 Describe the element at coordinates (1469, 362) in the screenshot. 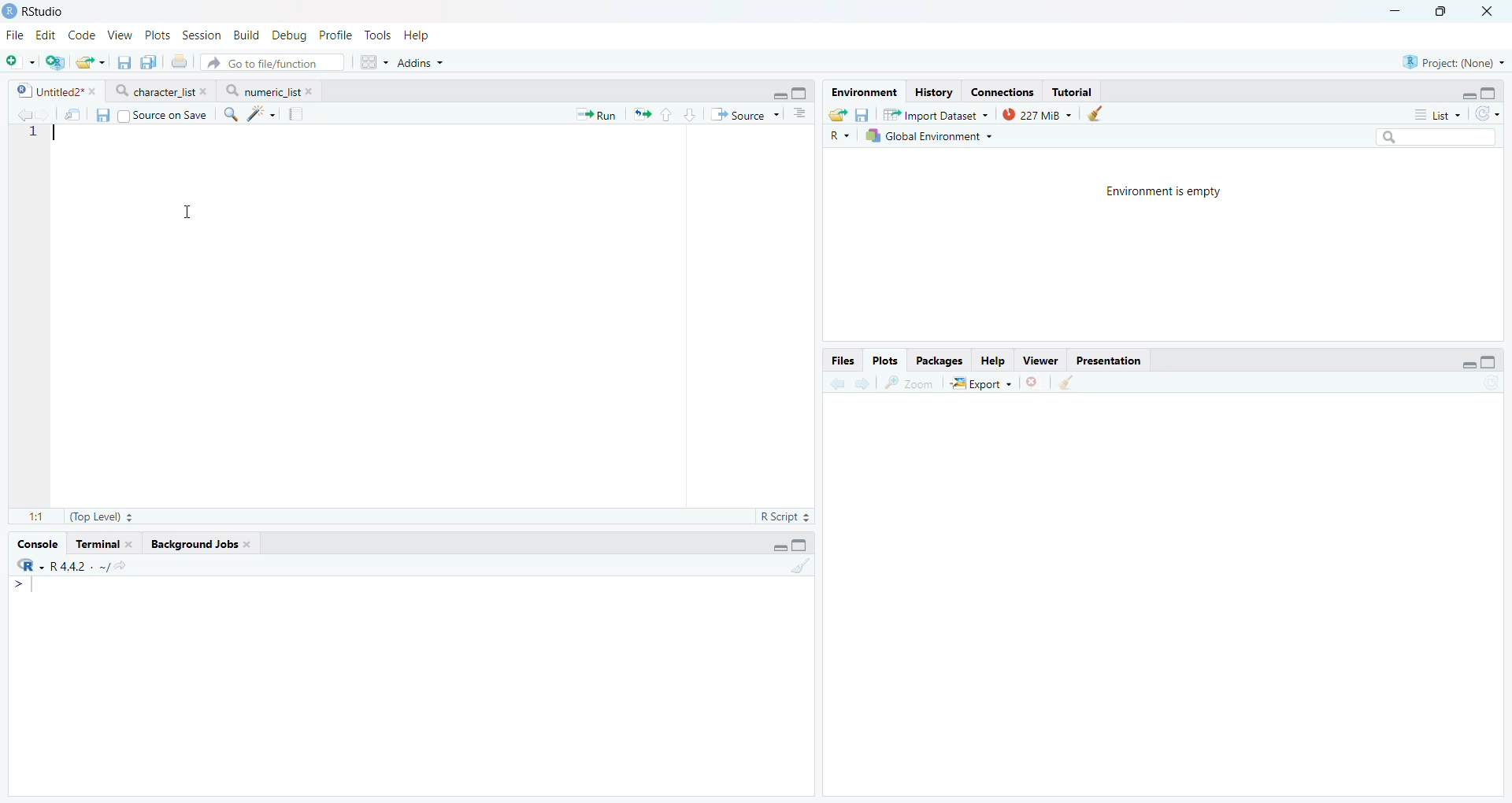

I see `Hide` at that location.